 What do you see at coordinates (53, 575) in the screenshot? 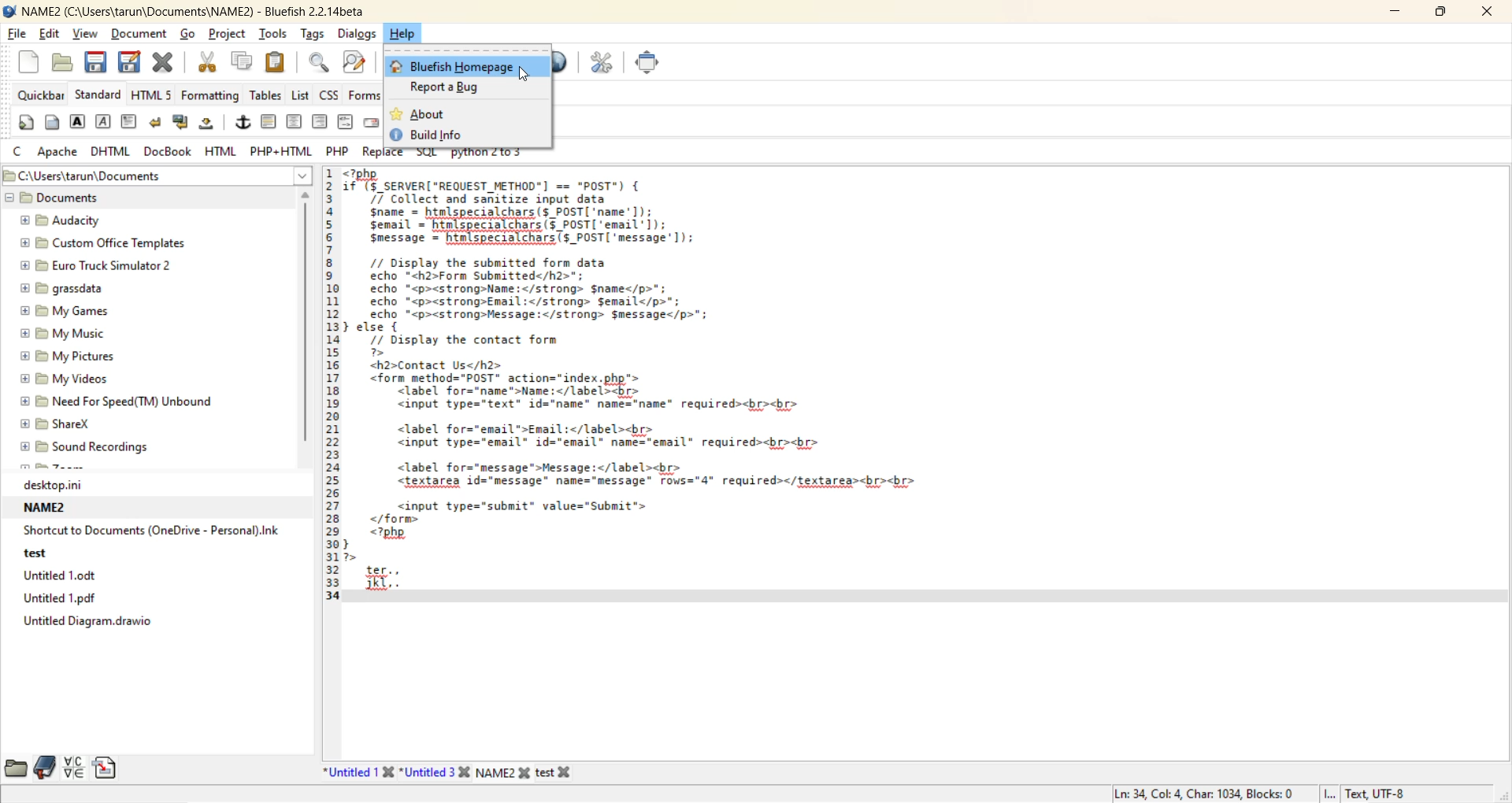
I see `Untitled 1.0dt` at bounding box center [53, 575].